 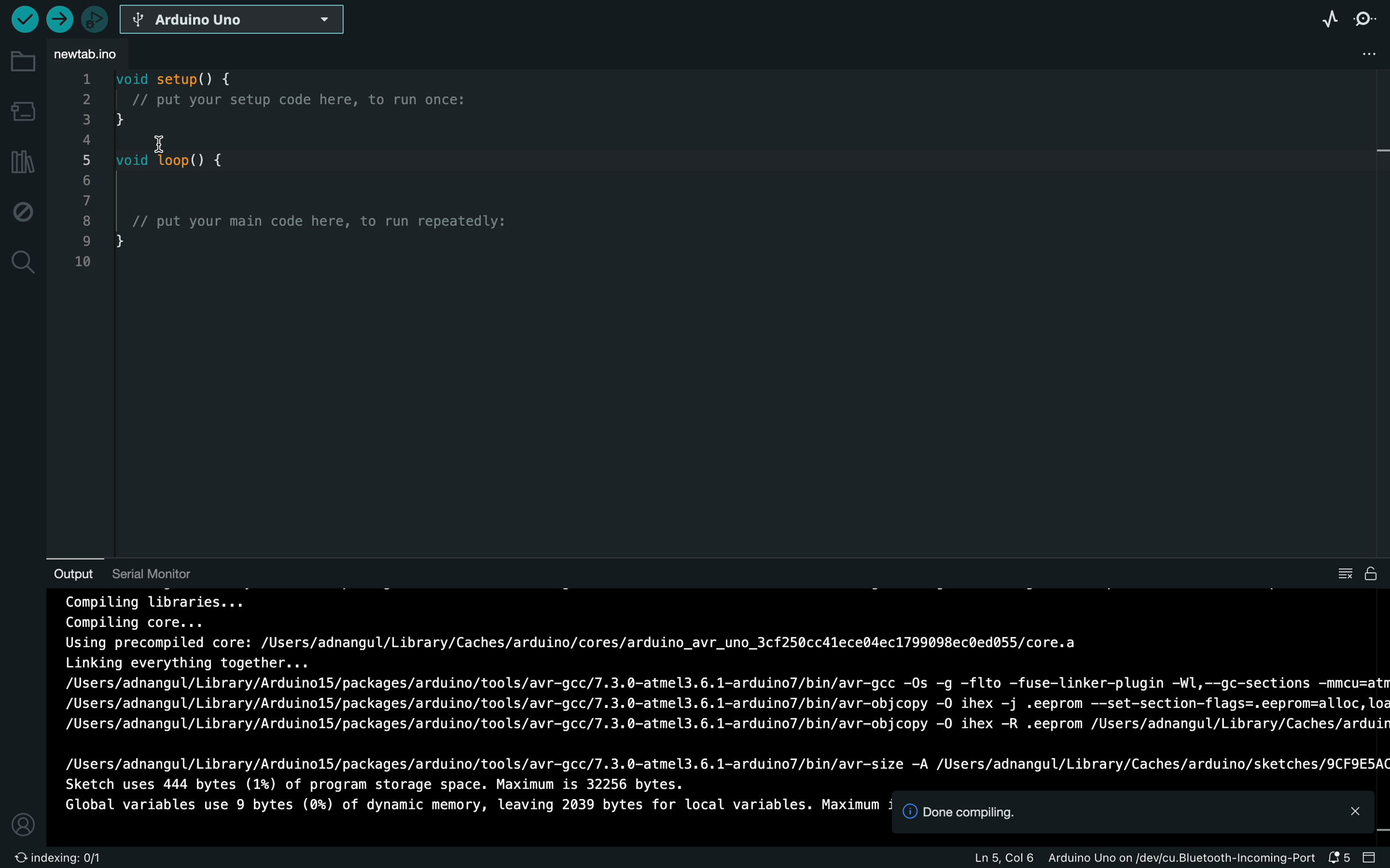 I want to click on debug, so click(x=20, y=208).